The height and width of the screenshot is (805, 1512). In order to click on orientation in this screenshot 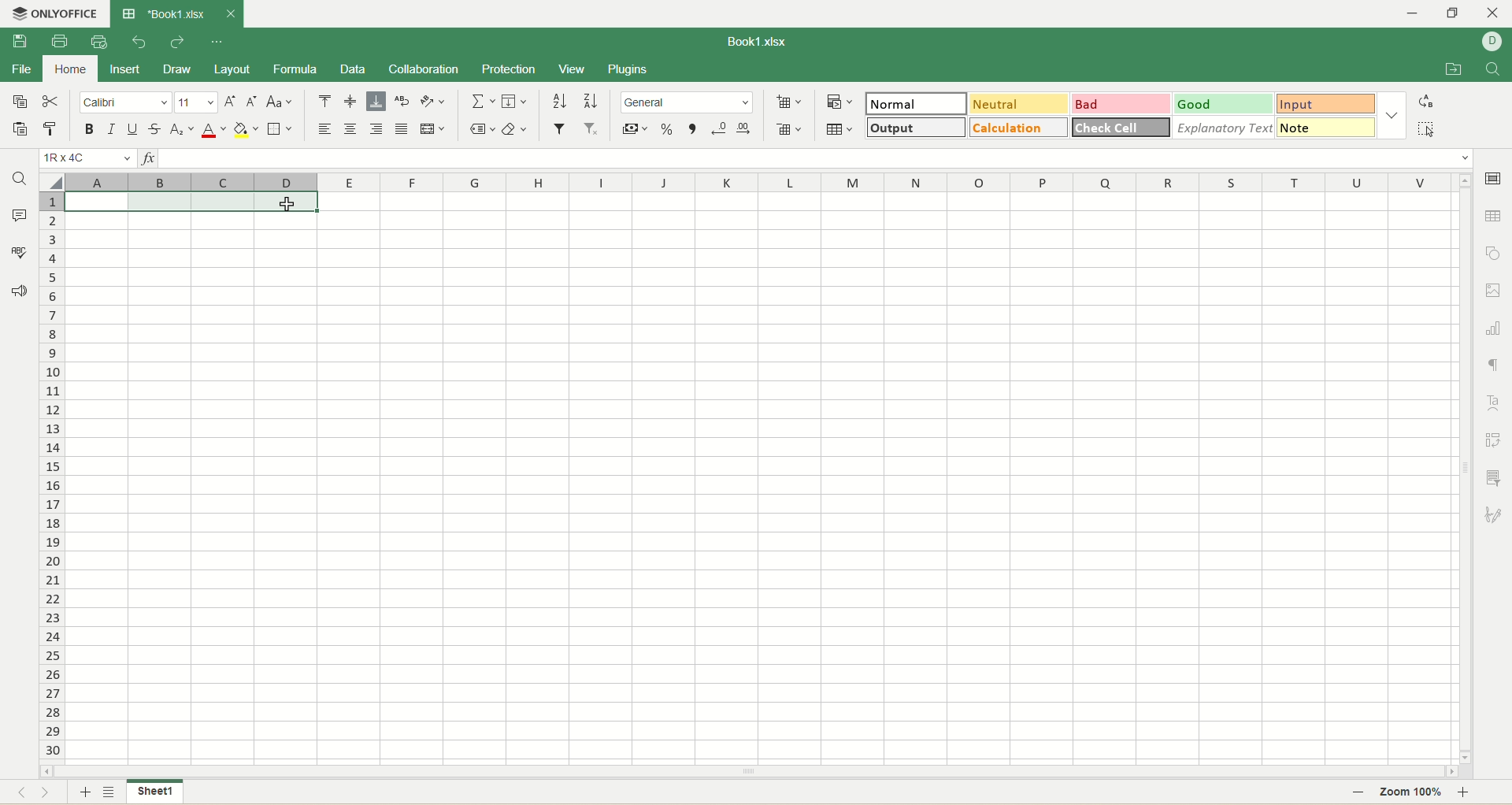, I will do `click(431, 101)`.